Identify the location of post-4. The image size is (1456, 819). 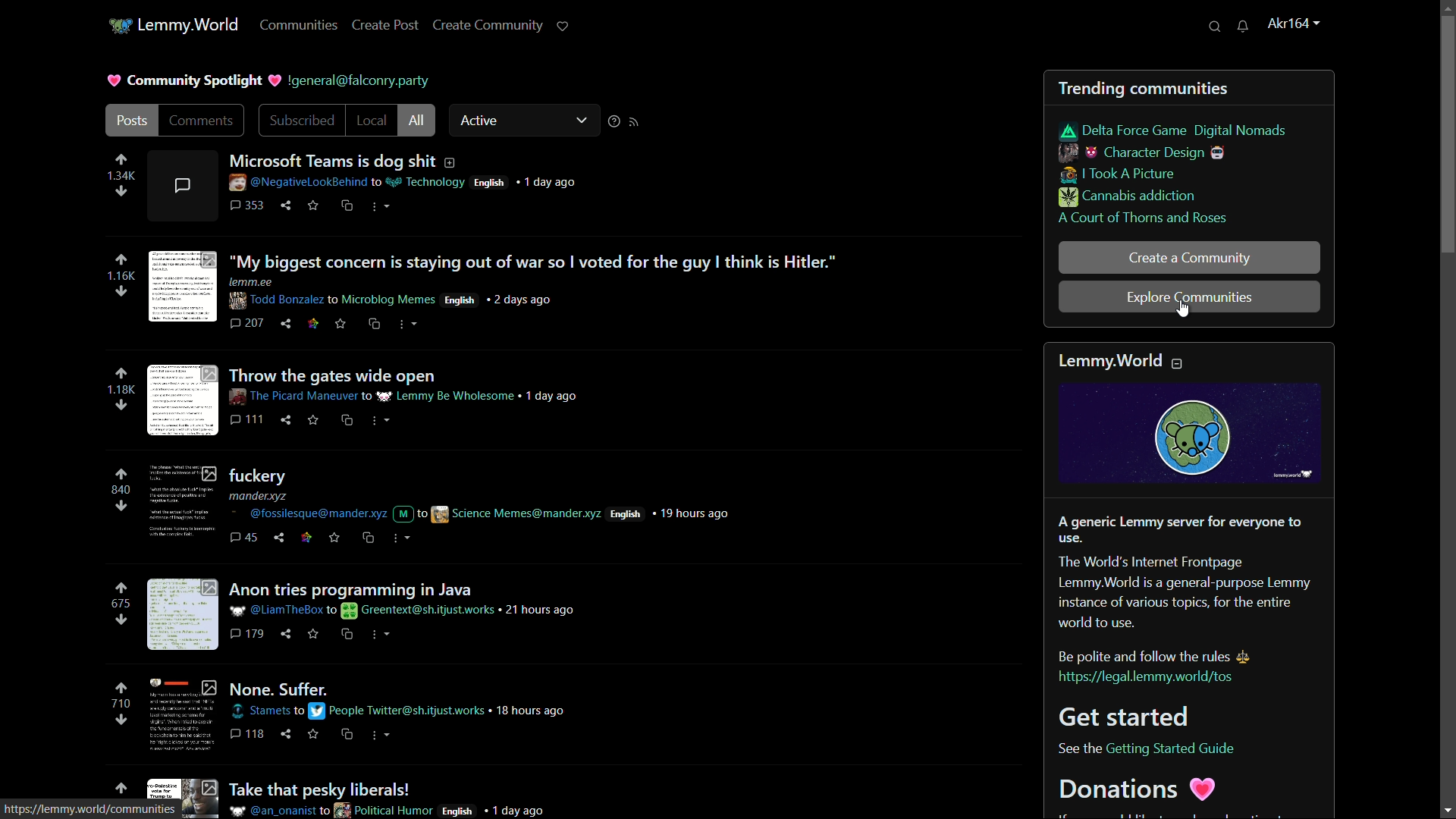
(259, 475).